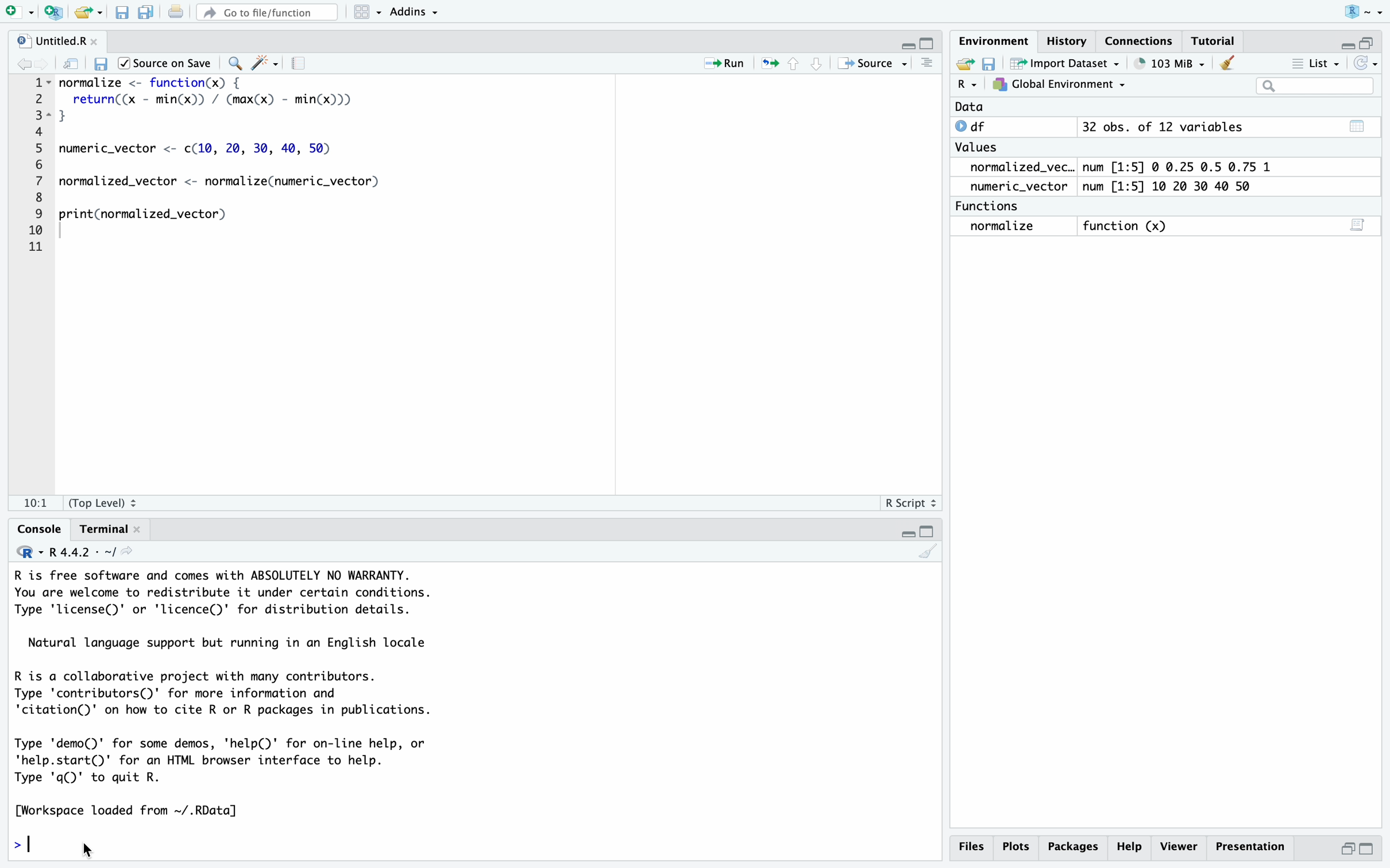  Describe the element at coordinates (967, 87) in the screenshot. I see `R` at that location.